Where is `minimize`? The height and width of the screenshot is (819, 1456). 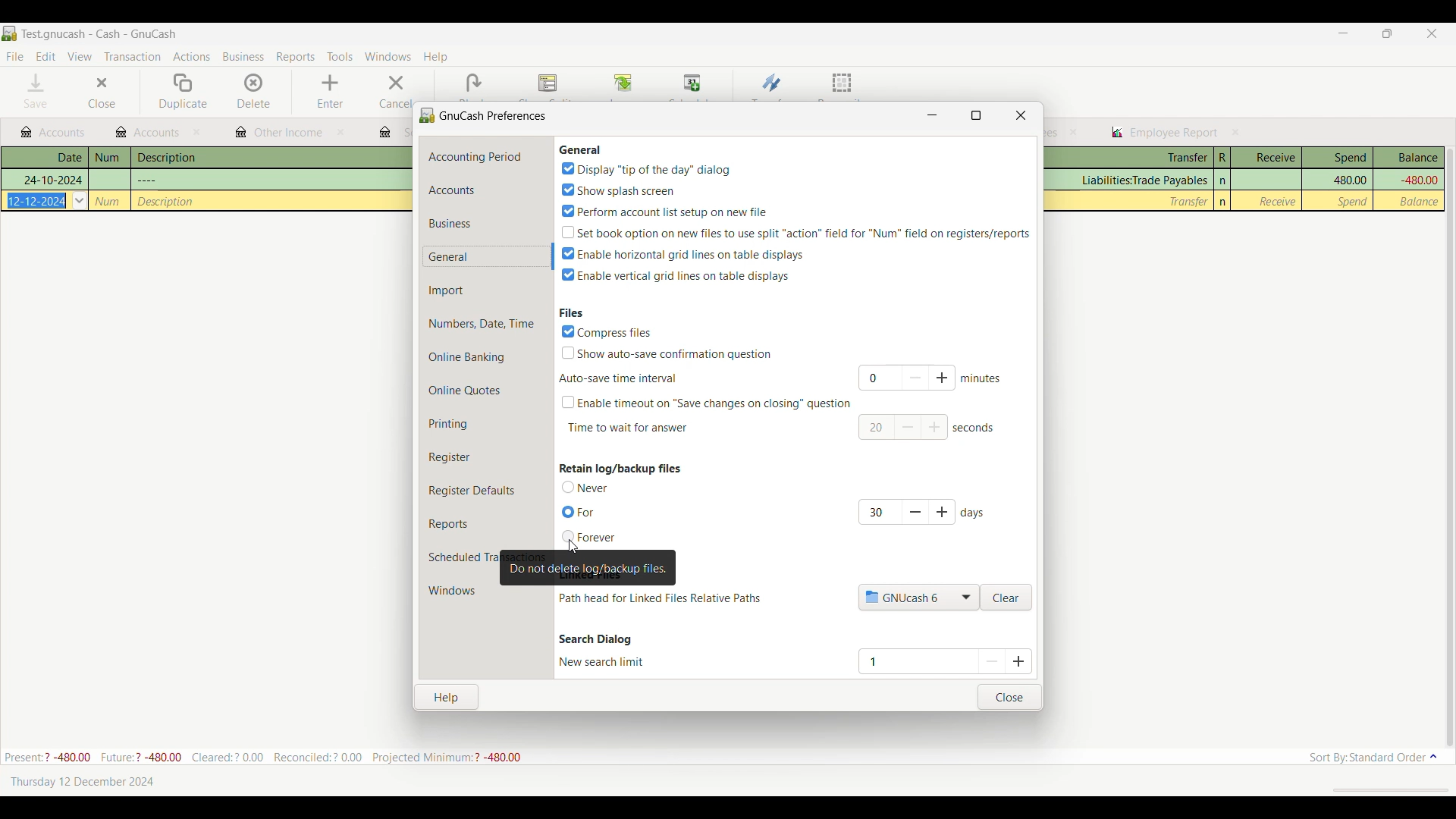 minimize is located at coordinates (931, 114).